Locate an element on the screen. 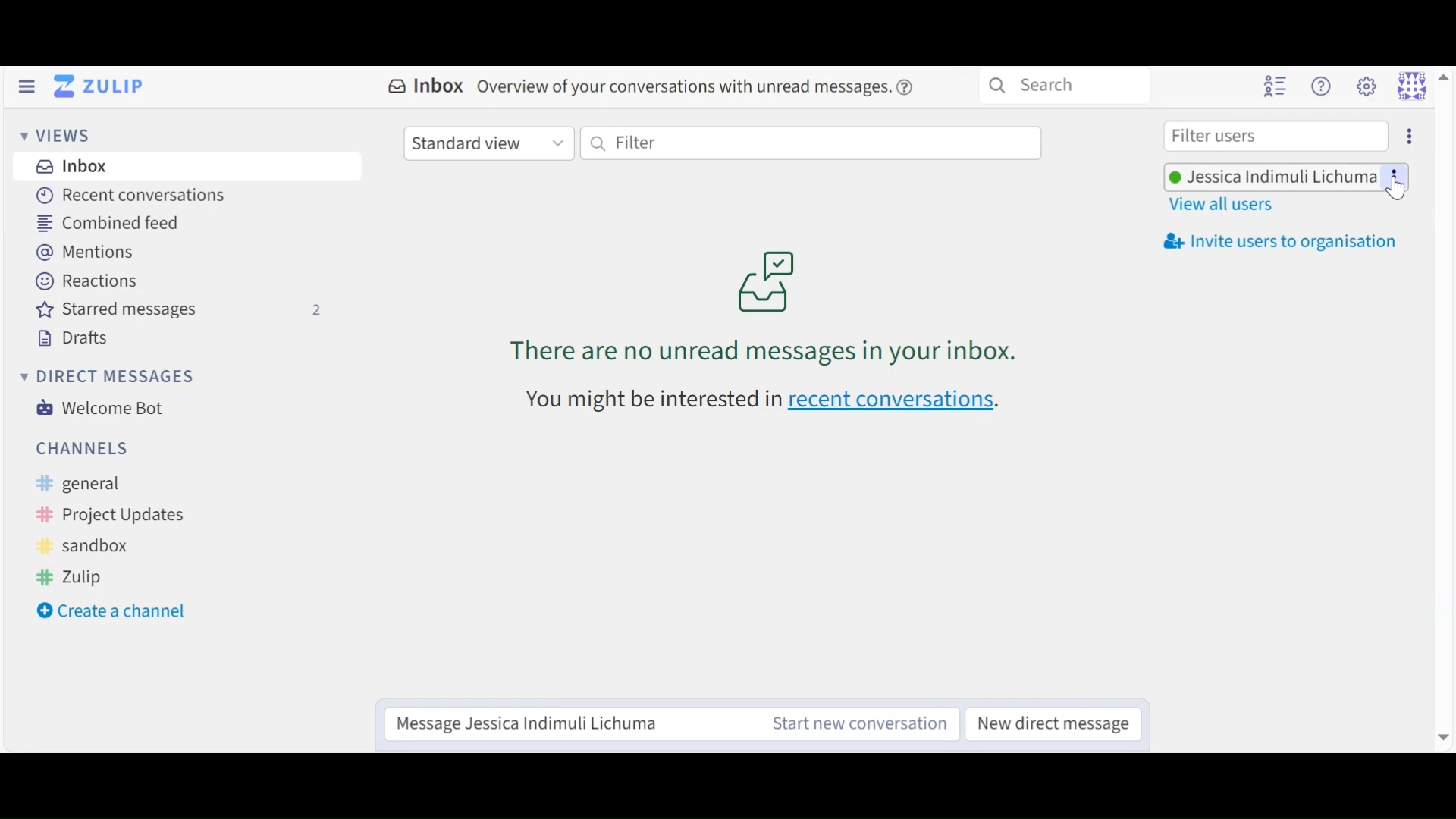 This screenshot has width=1456, height=819. Down is located at coordinates (1441, 731).